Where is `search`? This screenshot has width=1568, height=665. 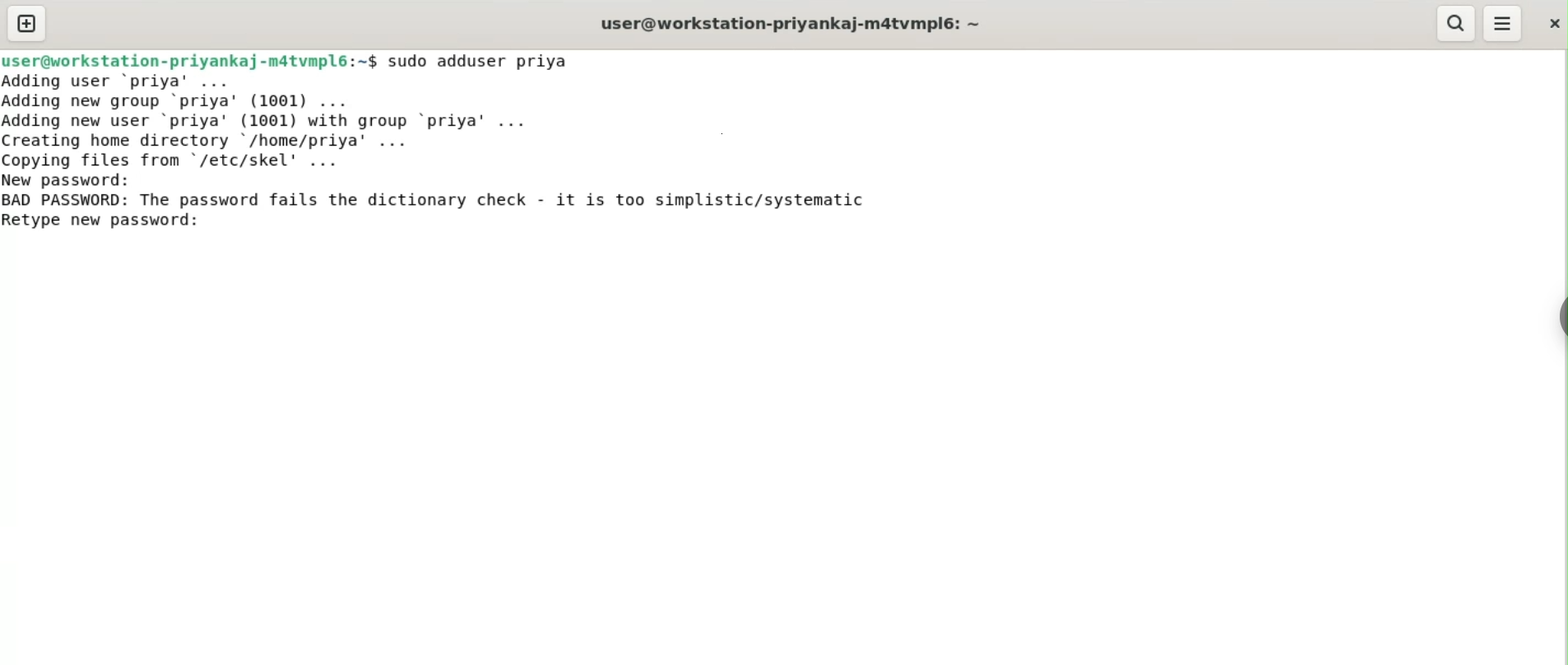
search is located at coordinates (1454, 23).